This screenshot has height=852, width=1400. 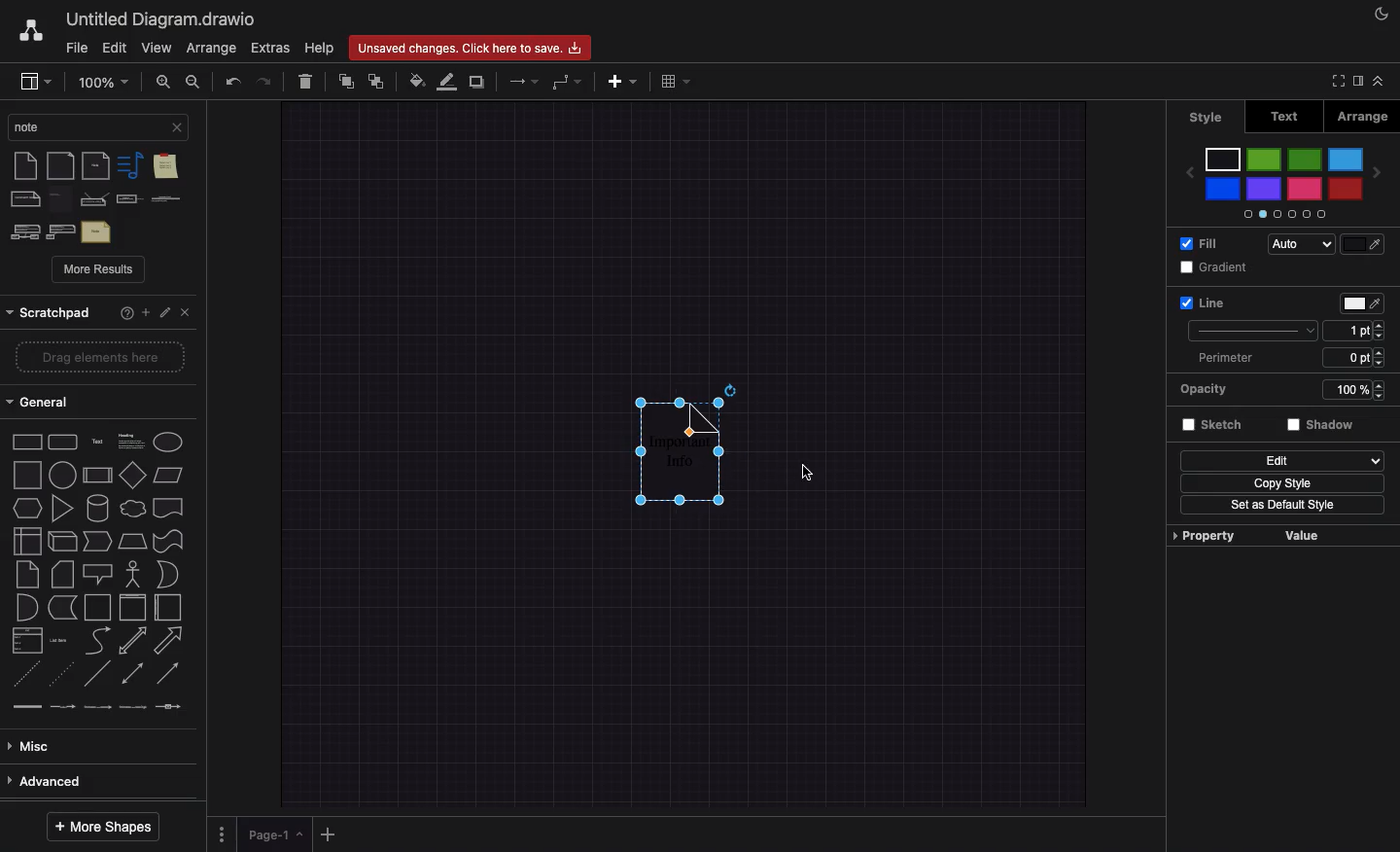 I want to click on dark green, so click(x=1305, y=160).